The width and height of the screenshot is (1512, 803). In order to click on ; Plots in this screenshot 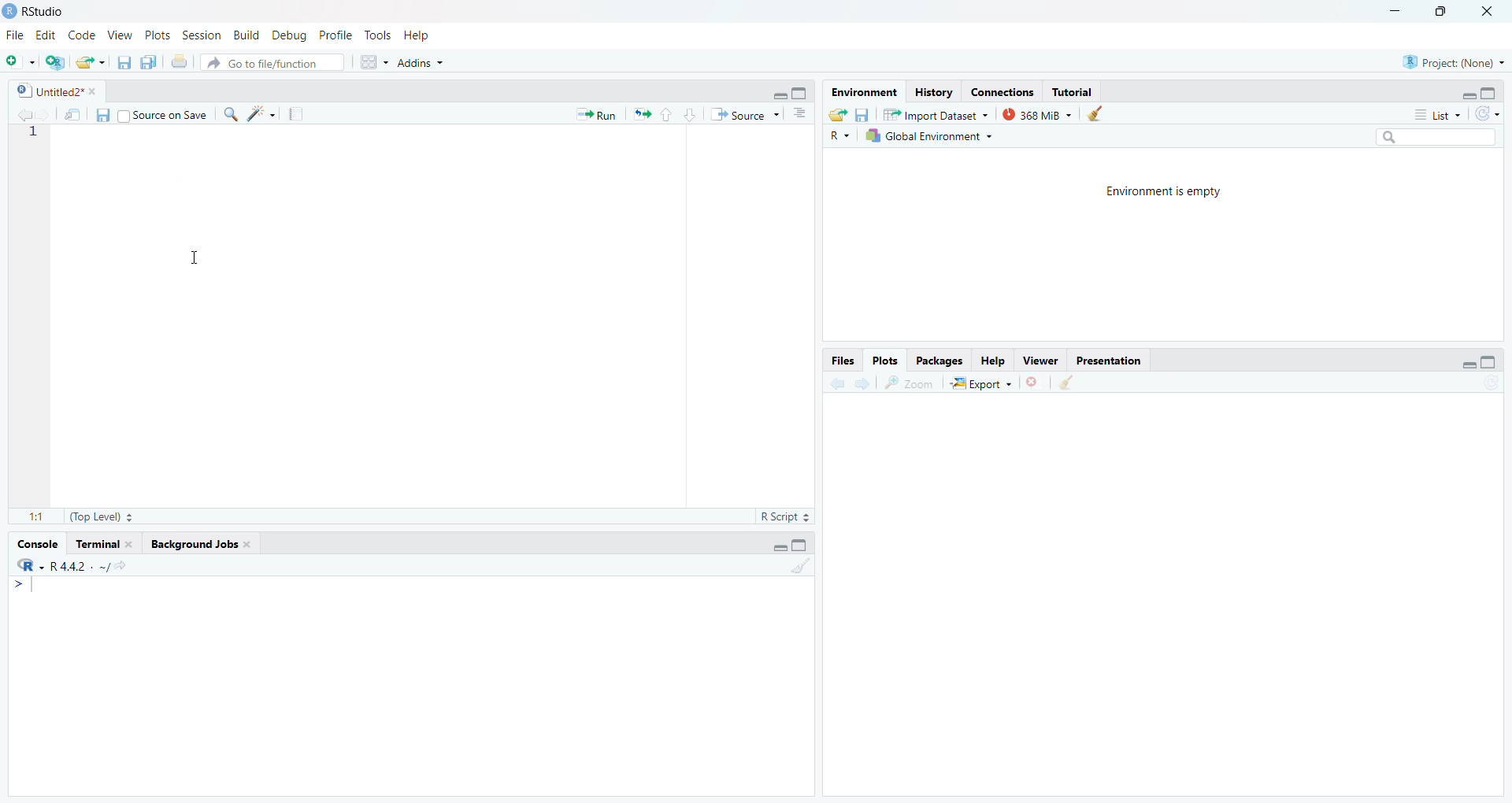, I will do `click(886, 361)`.